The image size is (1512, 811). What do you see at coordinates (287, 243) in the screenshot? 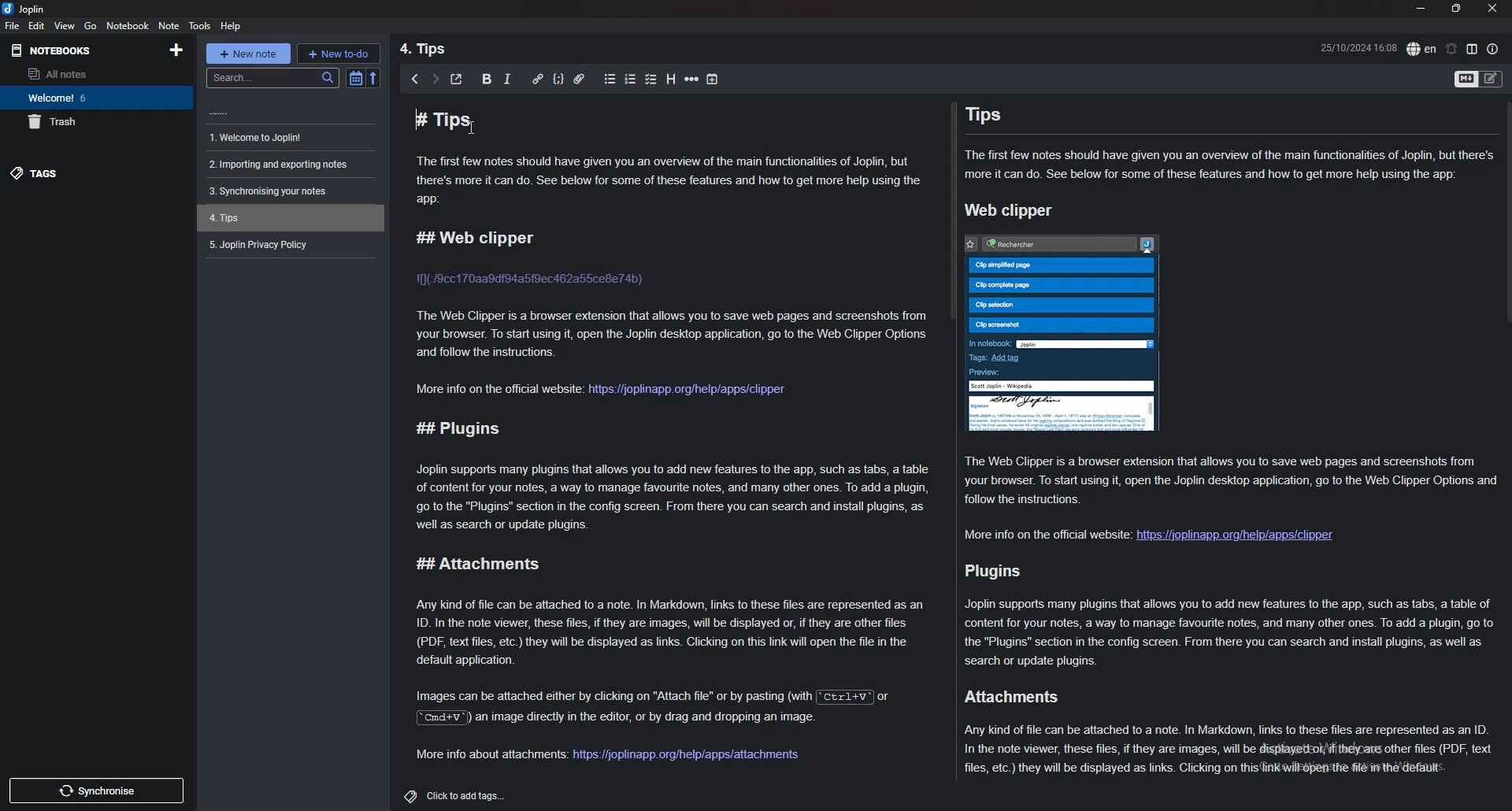
I see `note 6` at bounding box center [287, 243].